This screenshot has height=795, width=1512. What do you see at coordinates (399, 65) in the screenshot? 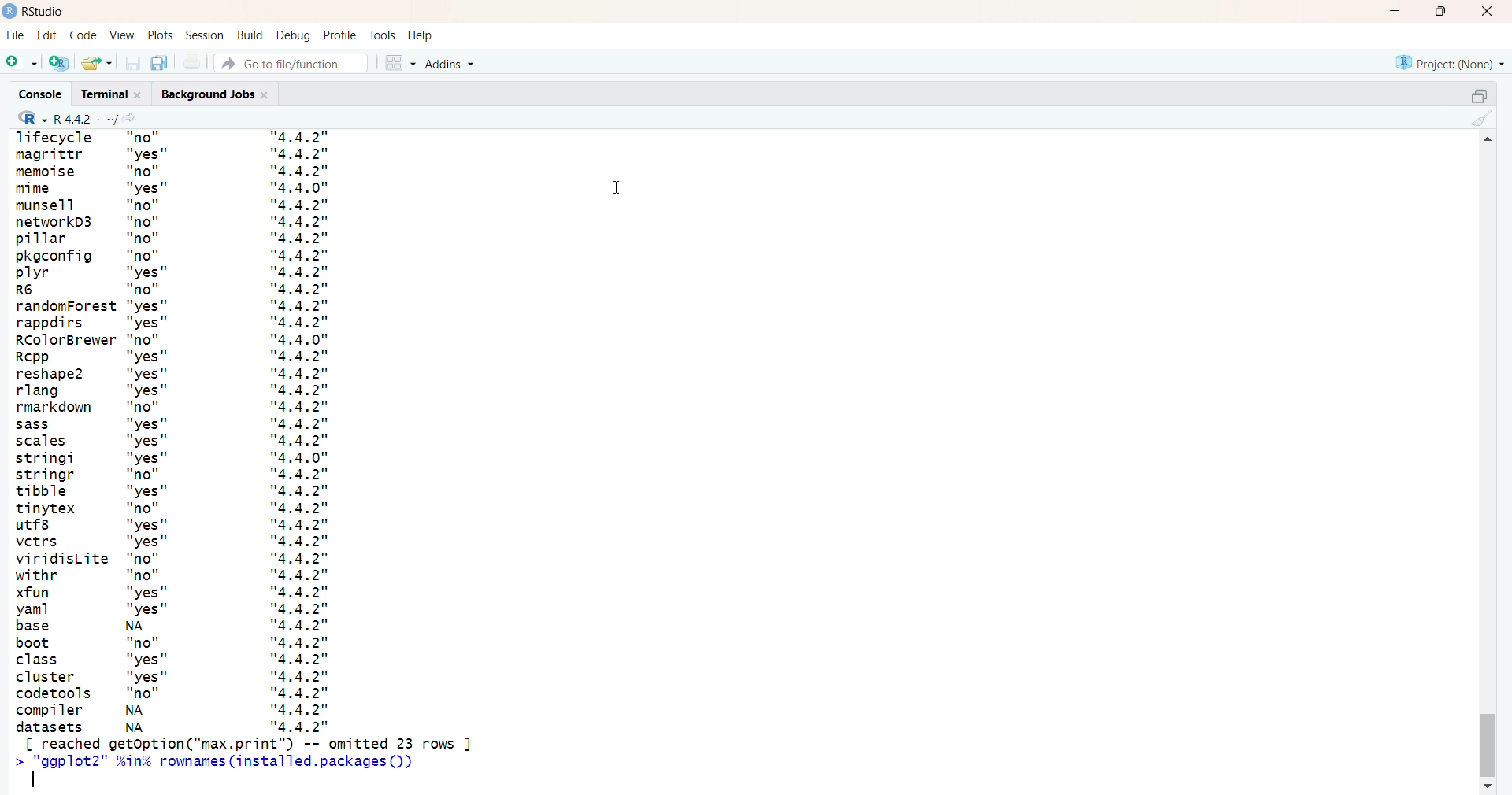
I see `workspace panes` at bounding box center [399, 65].